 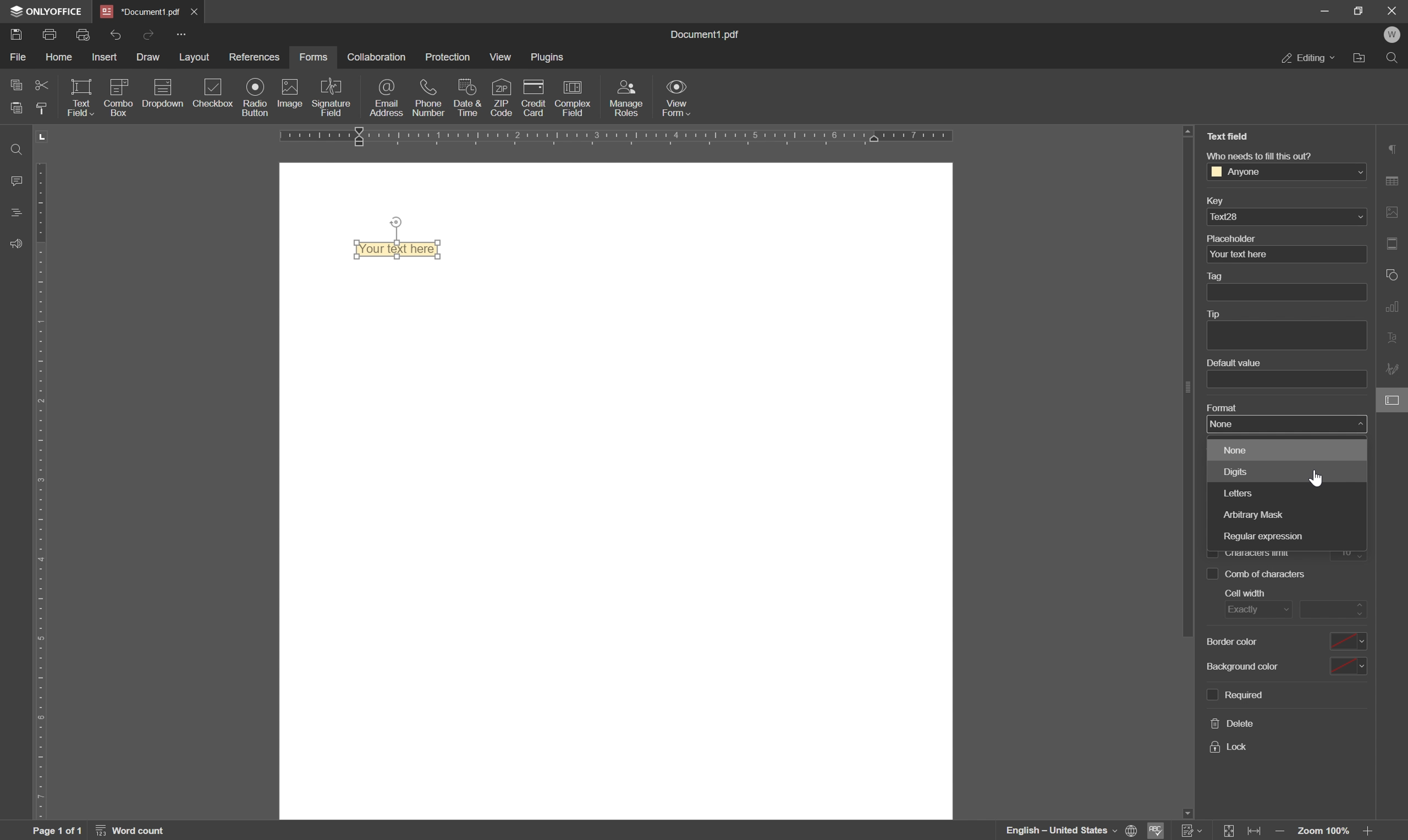 I want to click on manage roles, so click(x=628, y=97).